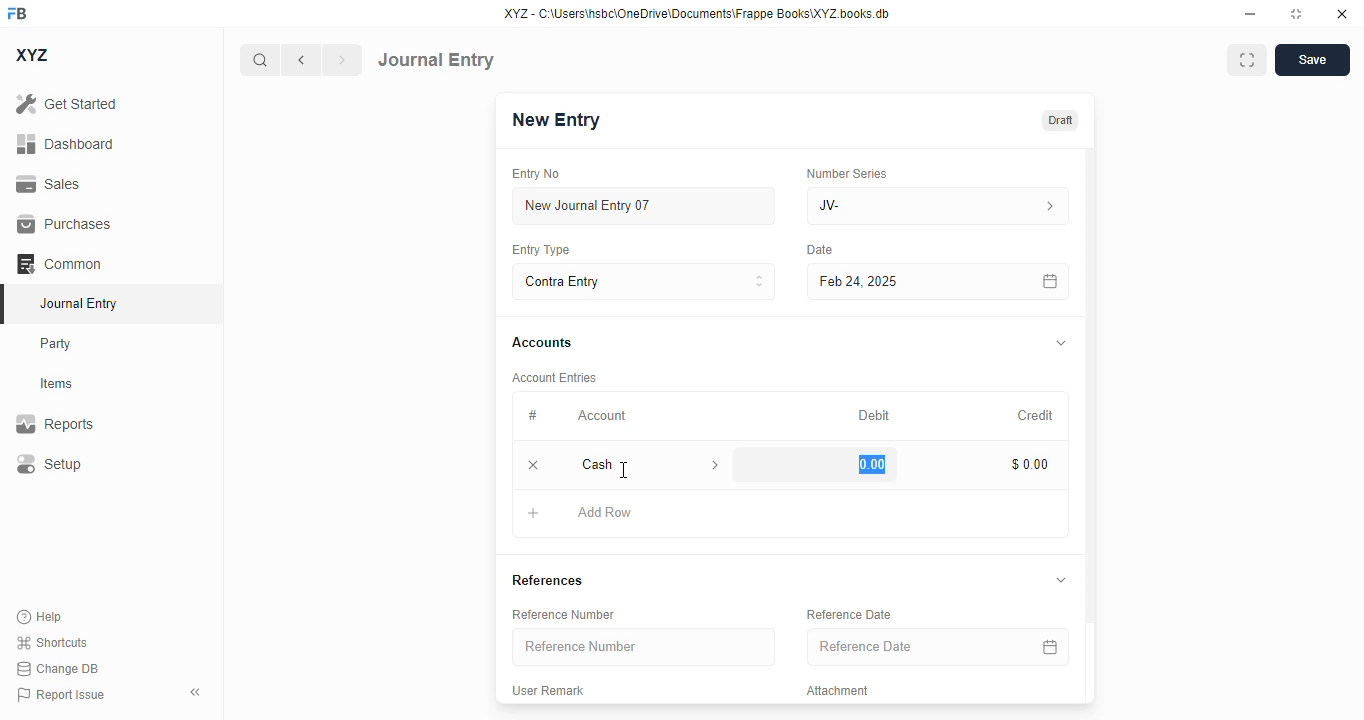 This screenshot has width=1364, height=720. What do you see at coordinates (850, 614) in the screenshot?
I see `reference date` at bounding box center [850, 614].